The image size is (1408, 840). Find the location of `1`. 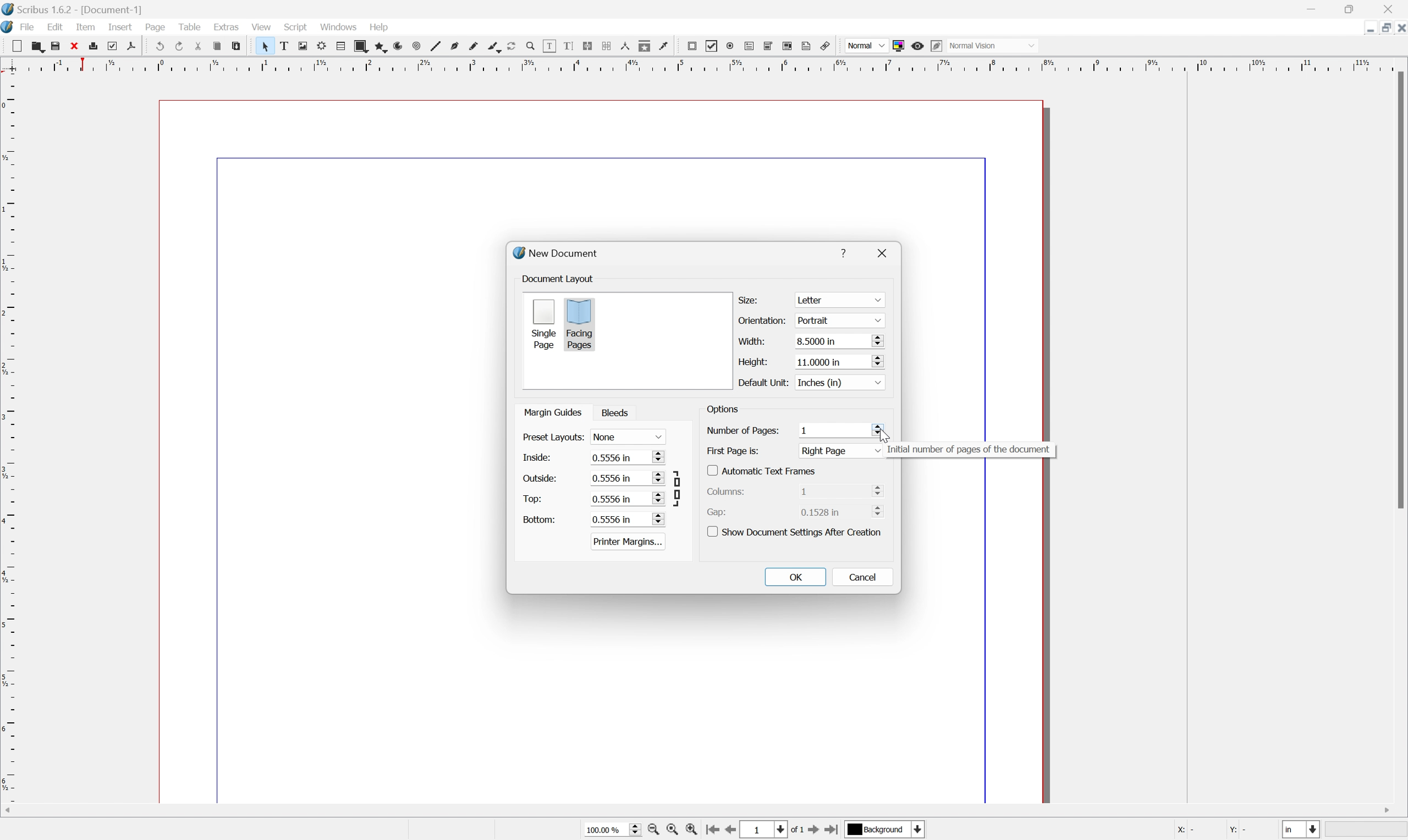

1 is located at coordinates (765, 829).